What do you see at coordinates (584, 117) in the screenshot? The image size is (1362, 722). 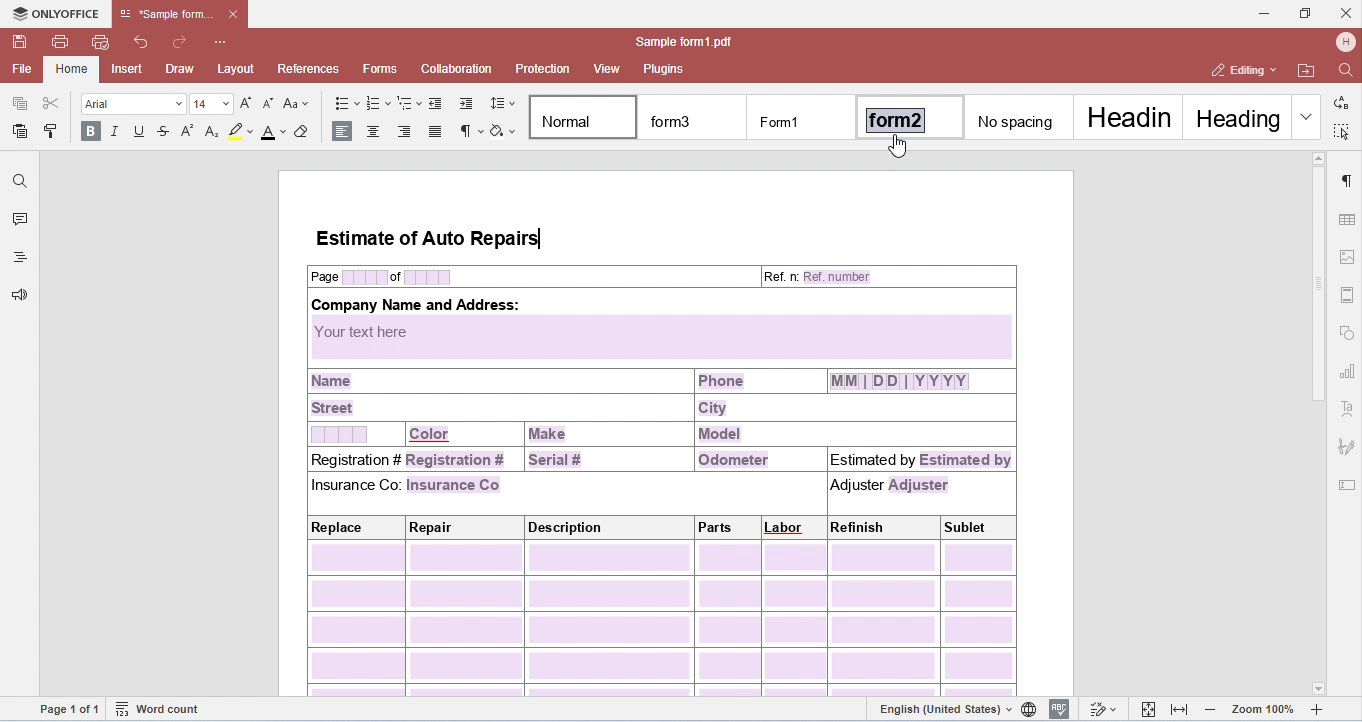 I see `normal` at bounding box center [584, 117].